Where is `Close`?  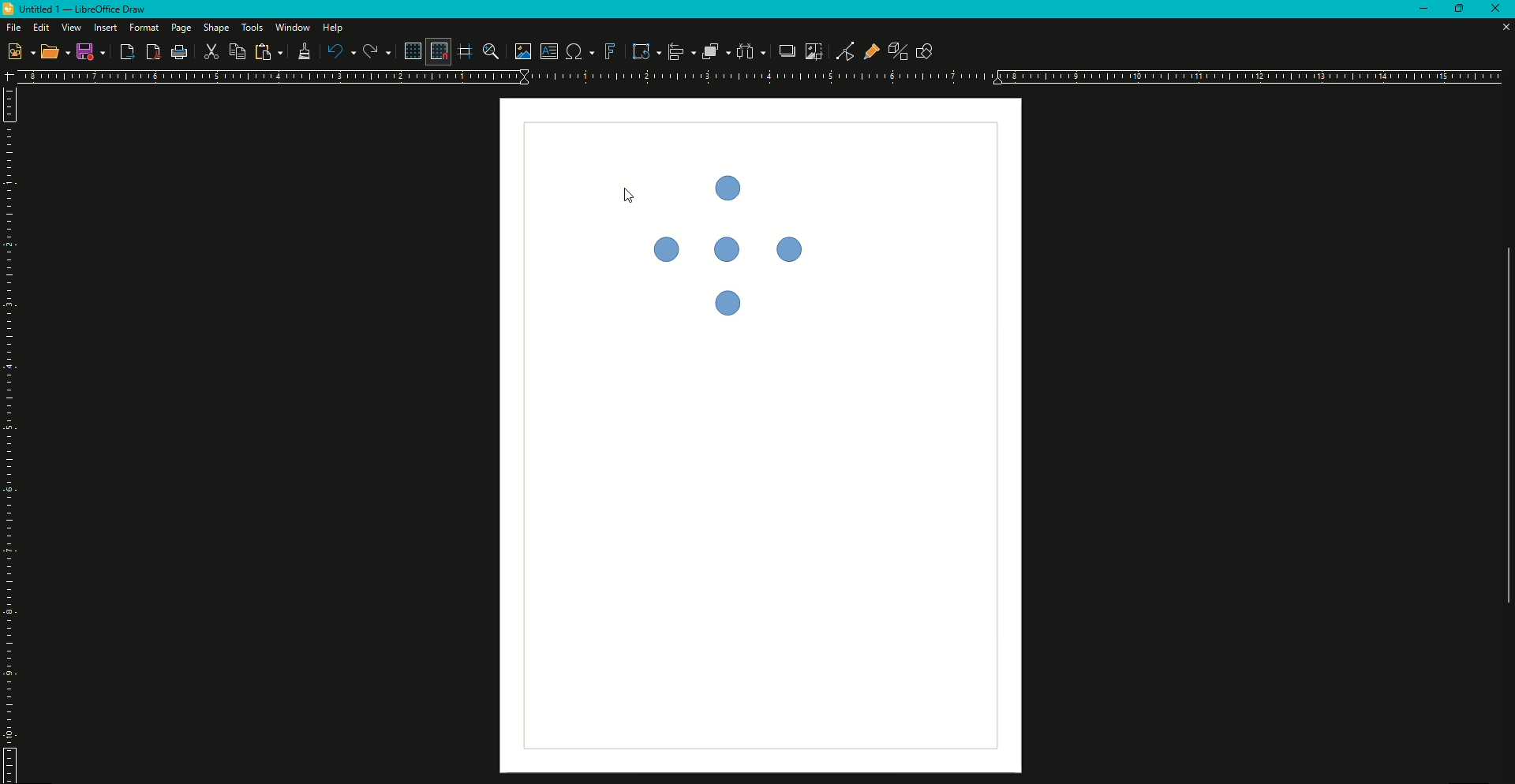
Close is located at coordinates (1498, 9).